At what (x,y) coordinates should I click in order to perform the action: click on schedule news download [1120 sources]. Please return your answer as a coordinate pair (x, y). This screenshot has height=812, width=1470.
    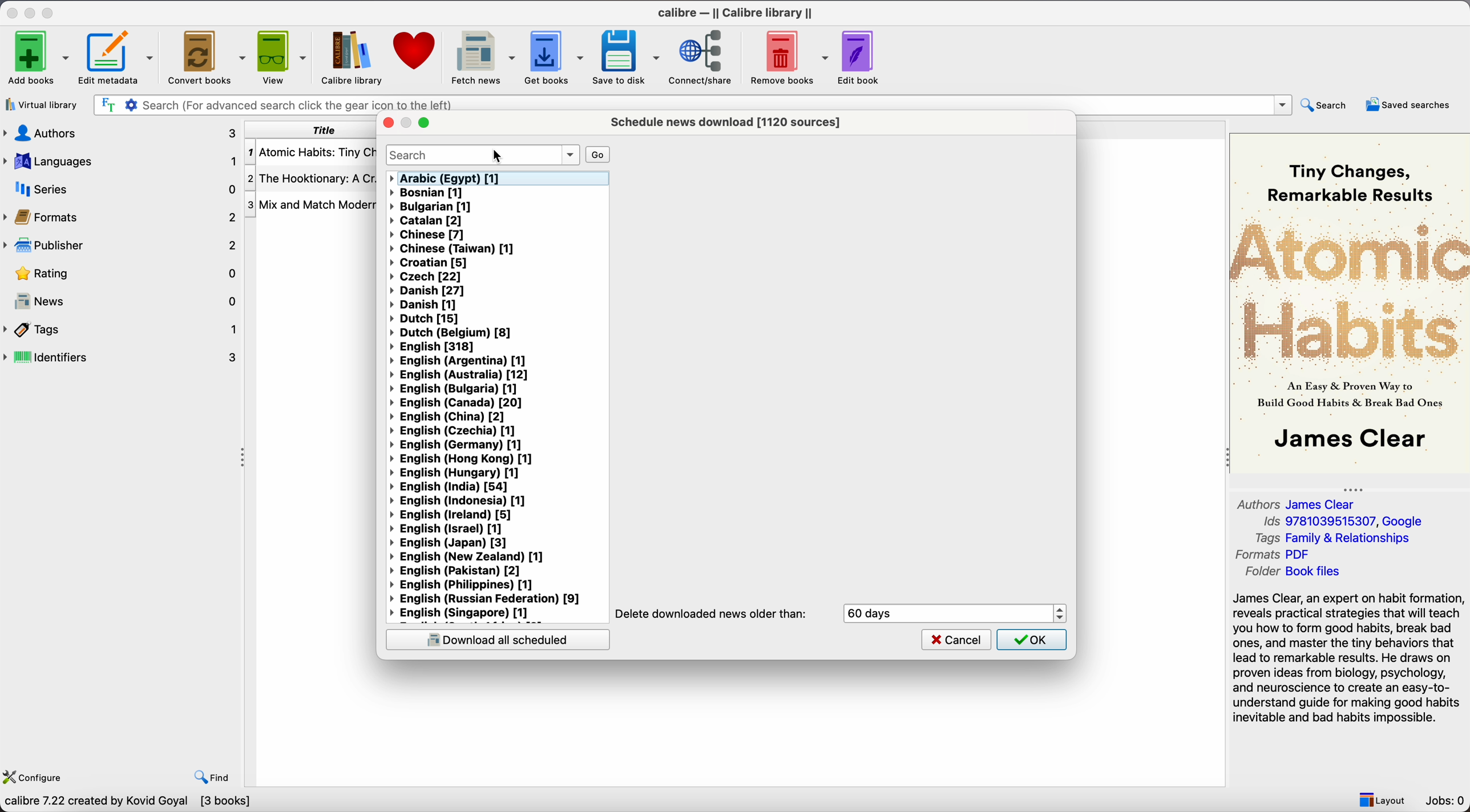
    Looking at the image, I should click on (729, 122).